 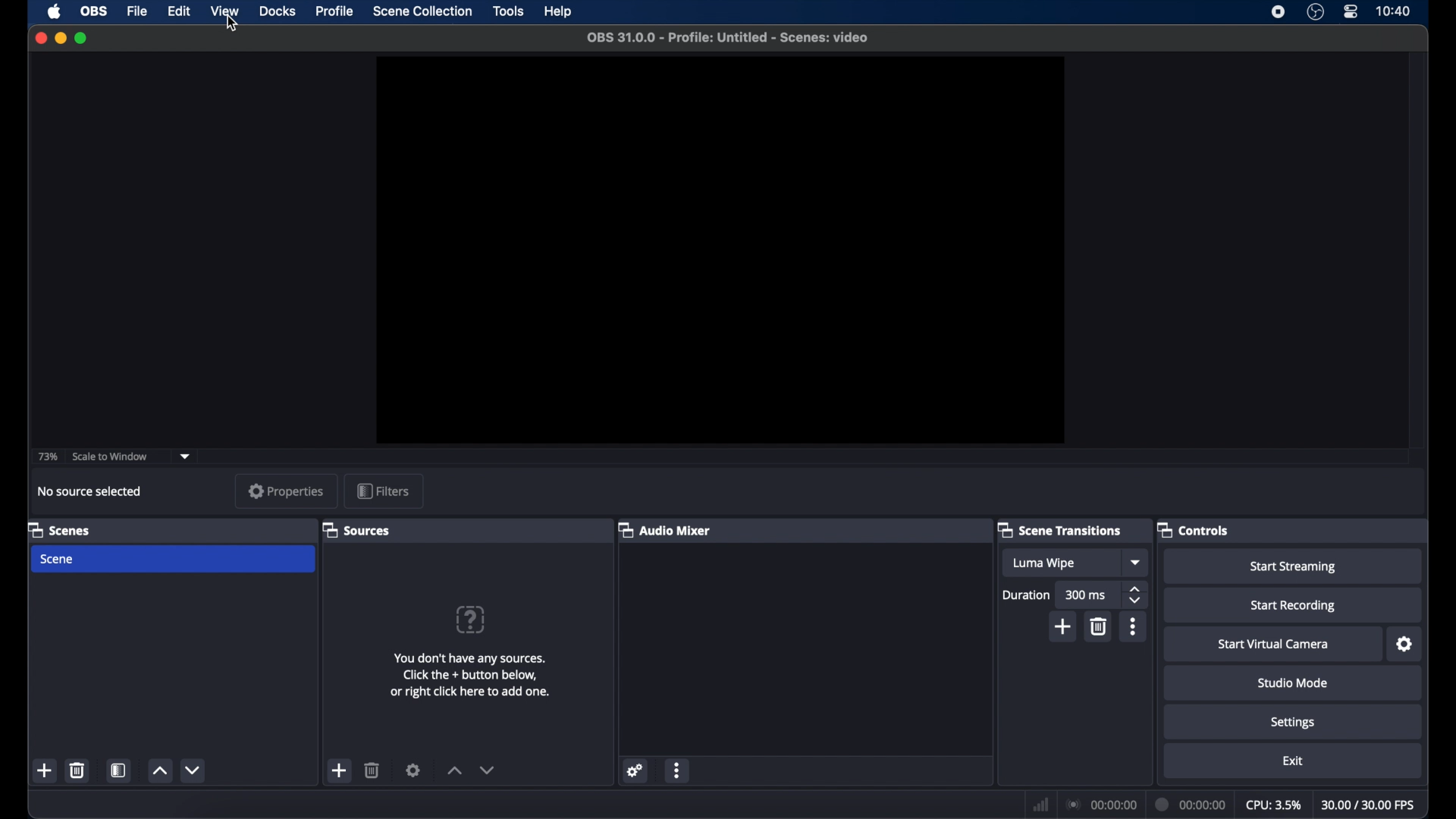 What do you see at coordinates (1027, 595) in the screenshot?
I see `duration` at bounding box center [1027, 595].